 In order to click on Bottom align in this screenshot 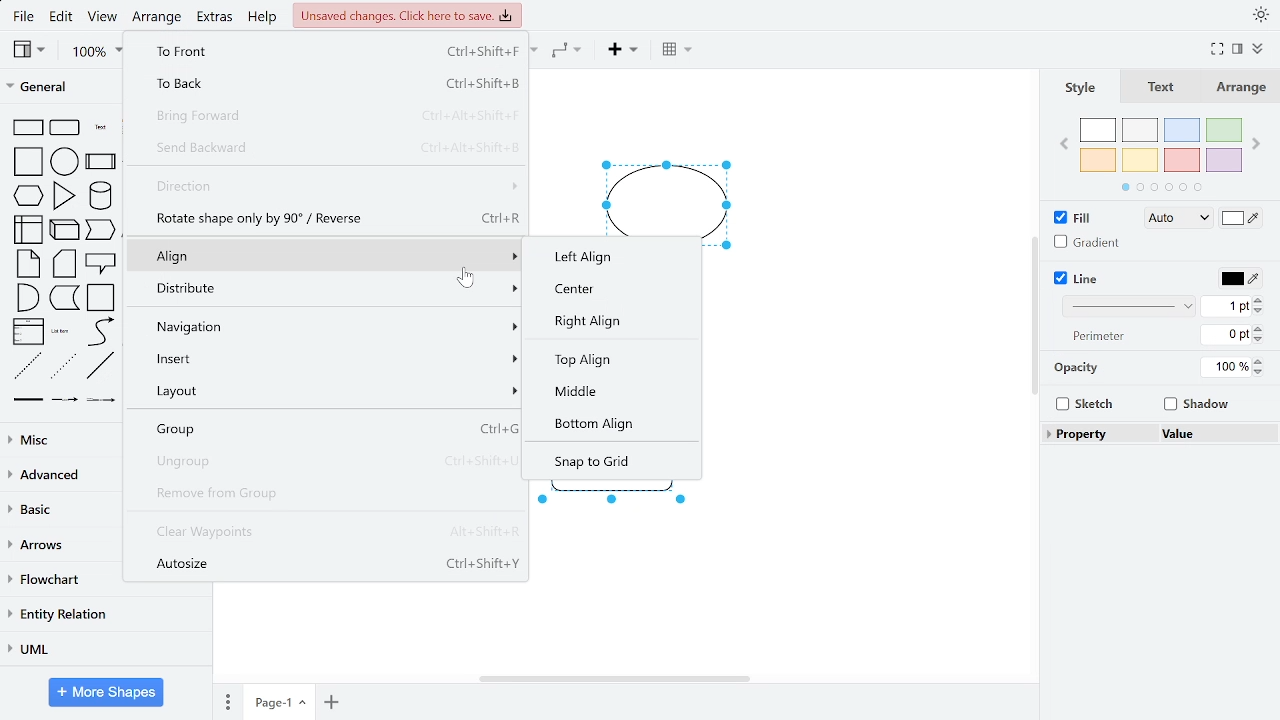, I will do `click(615, 423)`.